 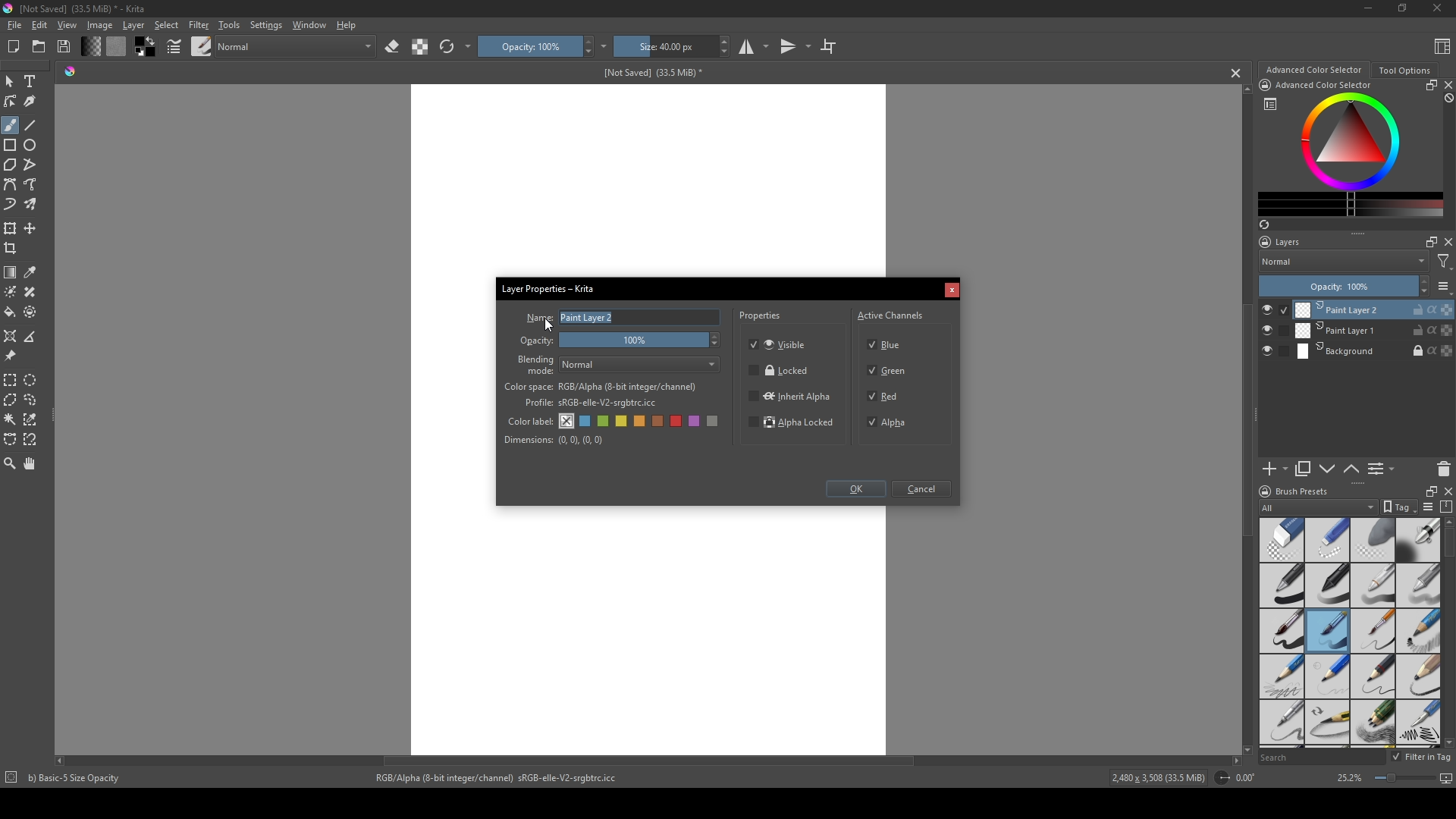 What do you see at coordinates (202, 45) in the screenshot?
I see `brush` at bounding box center [202, 45].